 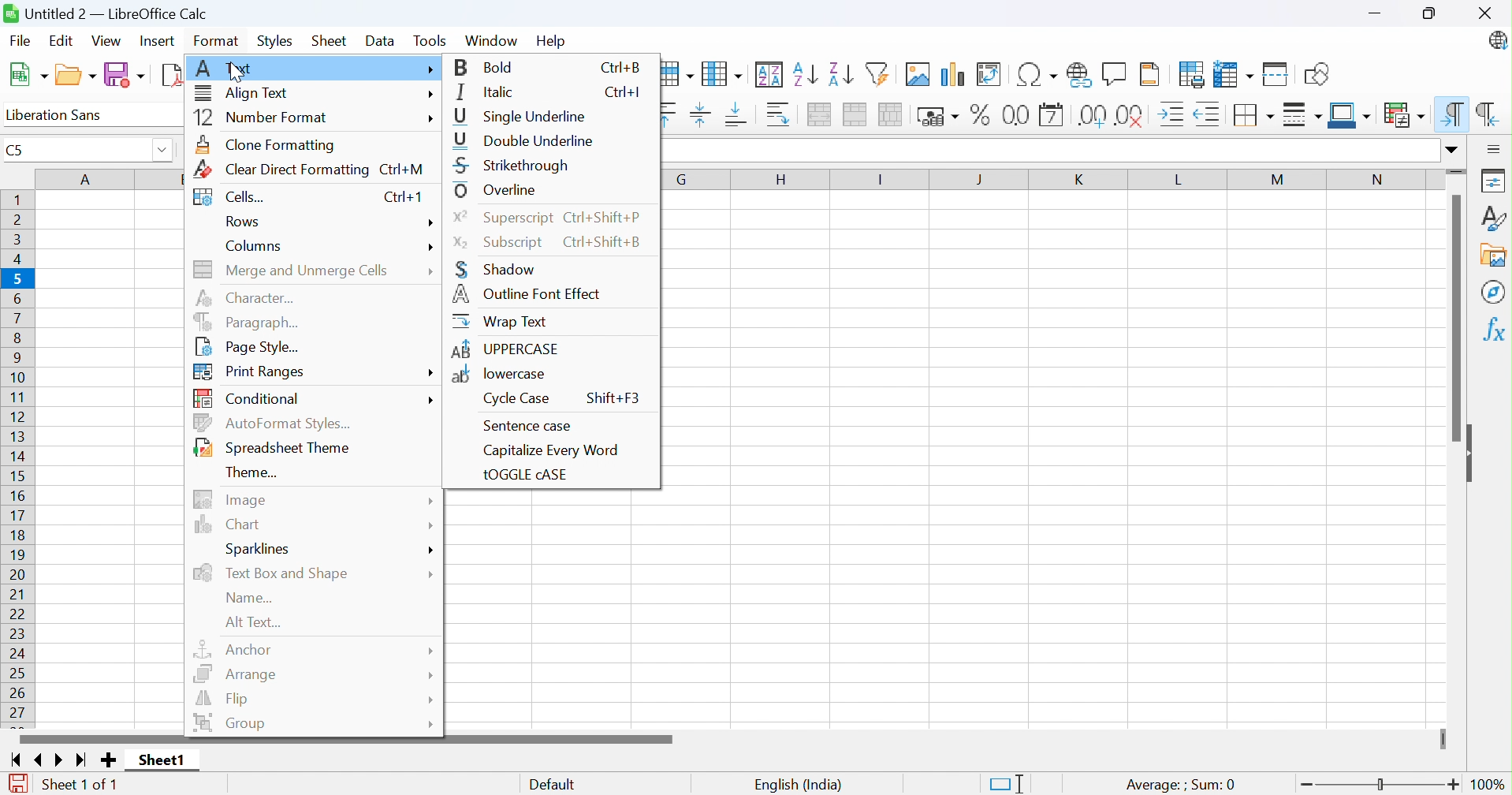 What do you see at coordinates (892, 115) in the screenshot?
I see `Unmerge cells` at bounding box center [892, 115].